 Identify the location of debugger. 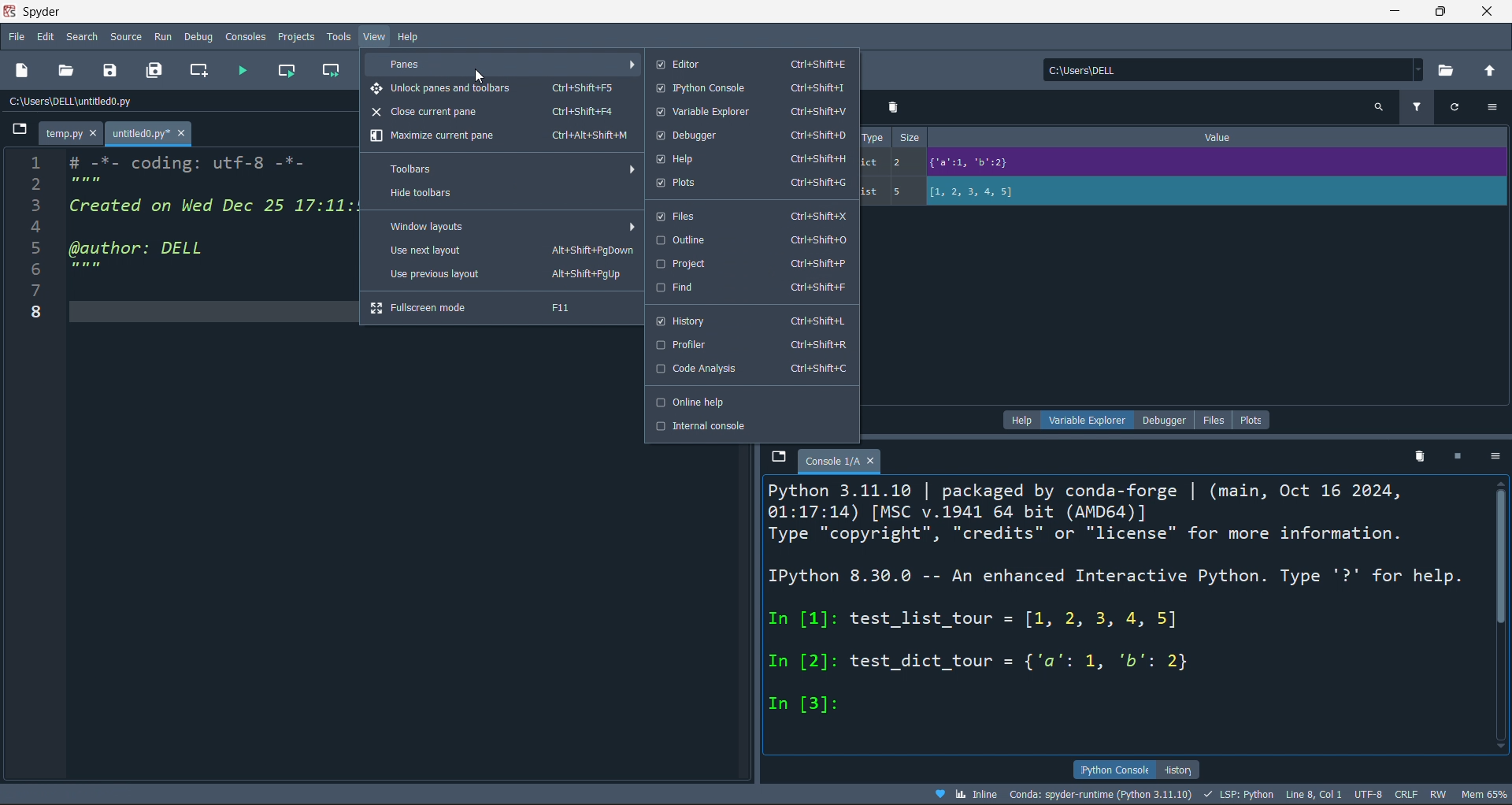
(1165, 419).